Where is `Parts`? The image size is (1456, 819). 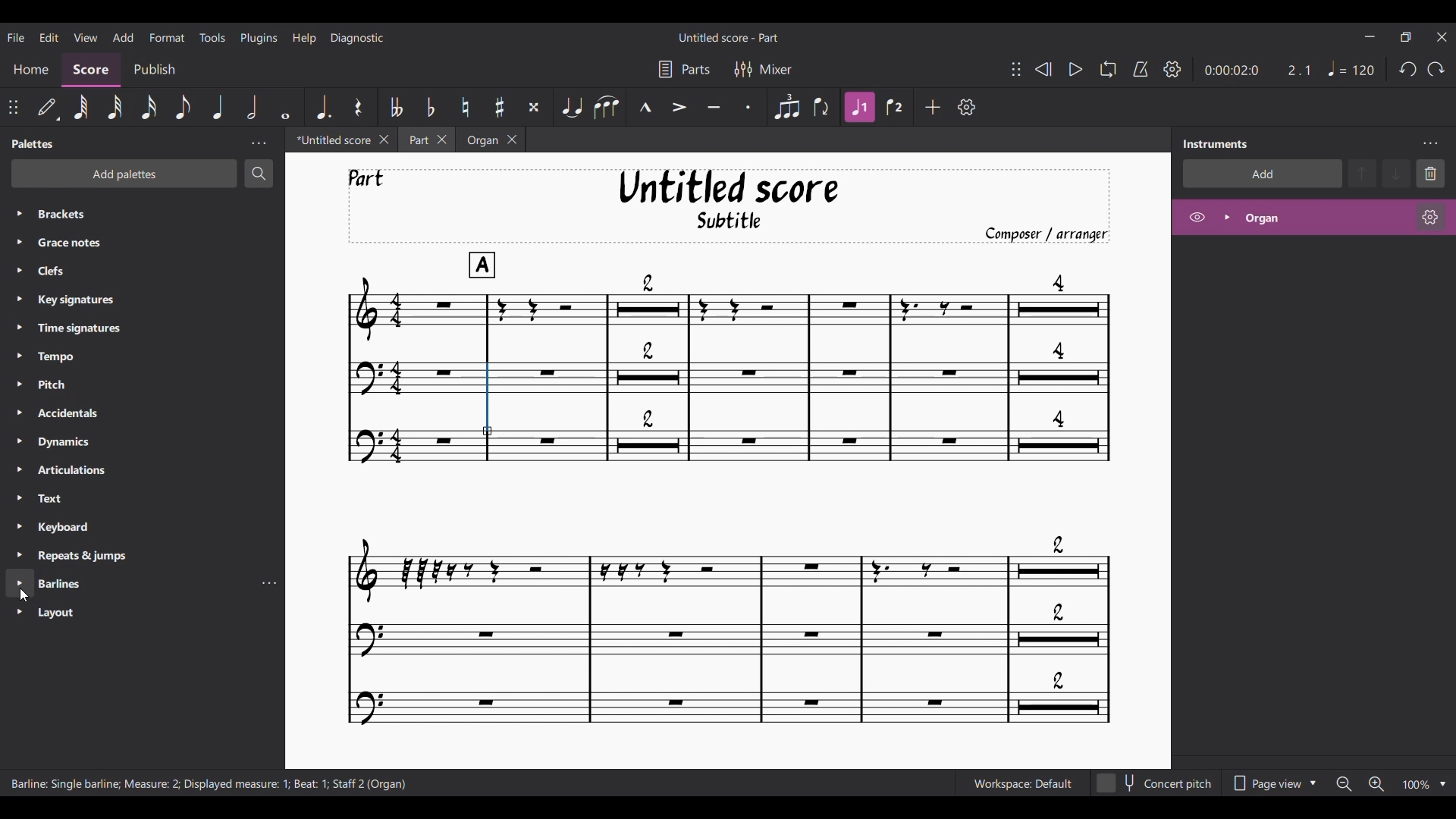 Parts is located at coordinates (685, 70).